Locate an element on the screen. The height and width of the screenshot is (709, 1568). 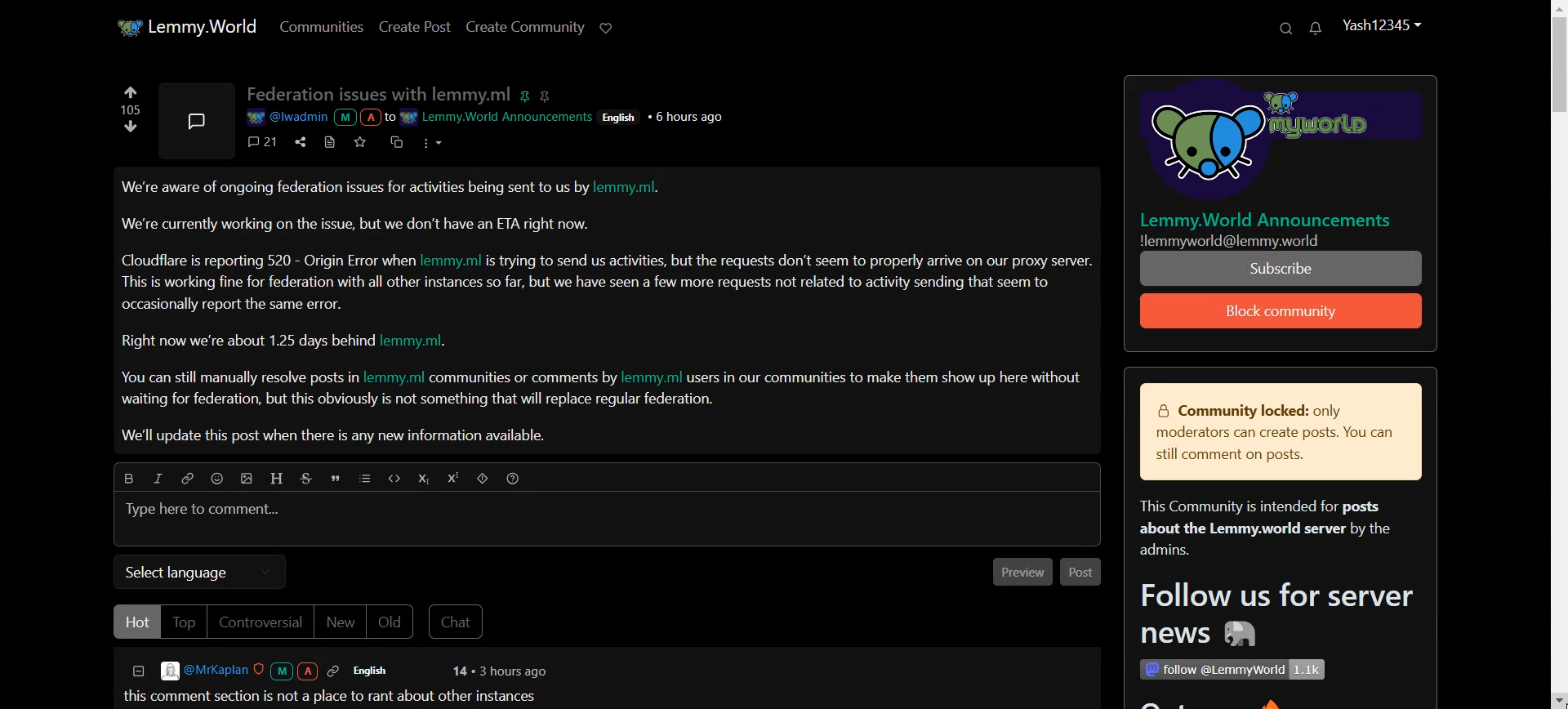
lemmy.ml. is located at coordinates (634, 186).